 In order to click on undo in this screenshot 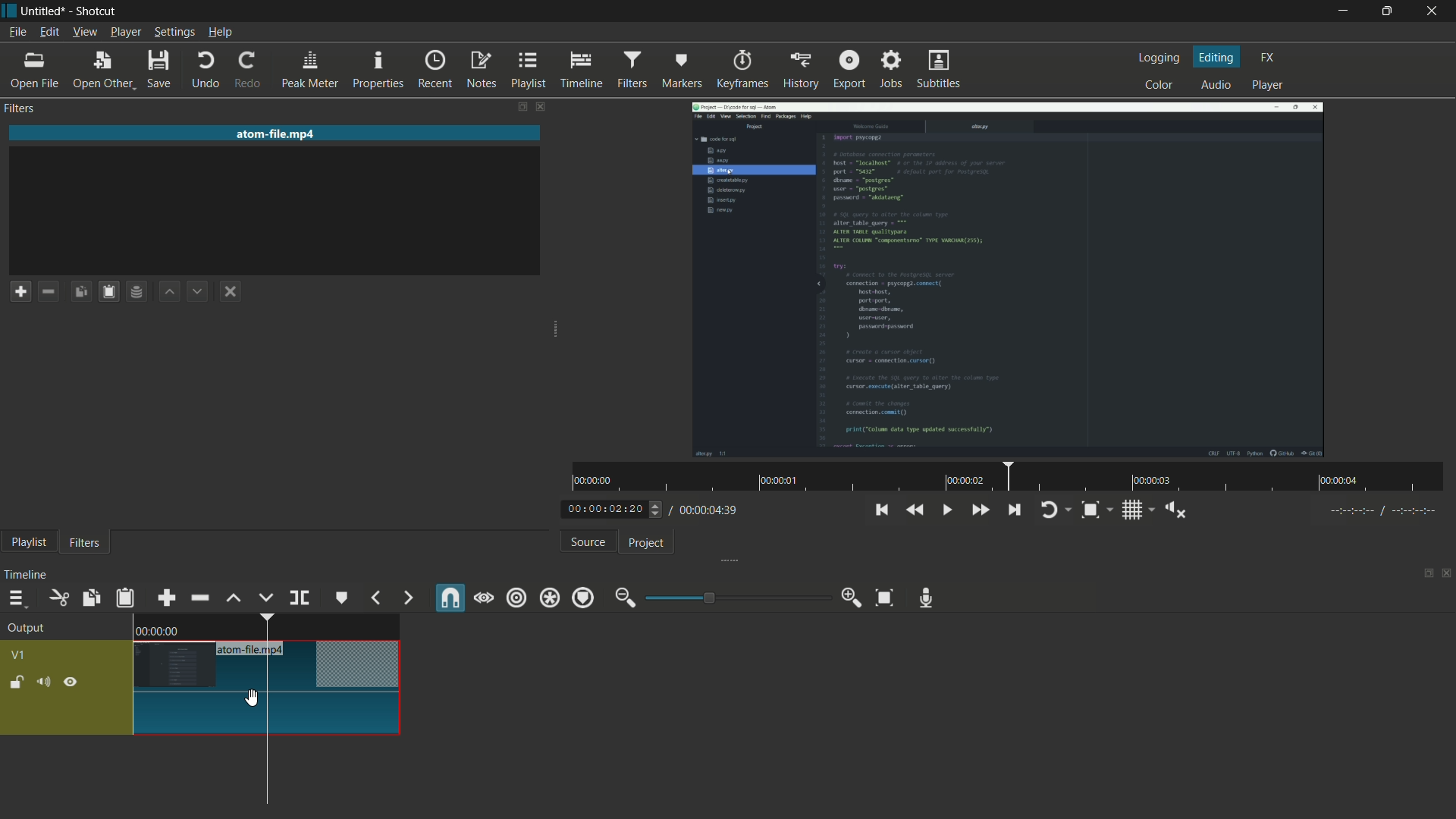, I will do `click(206, 71)`.